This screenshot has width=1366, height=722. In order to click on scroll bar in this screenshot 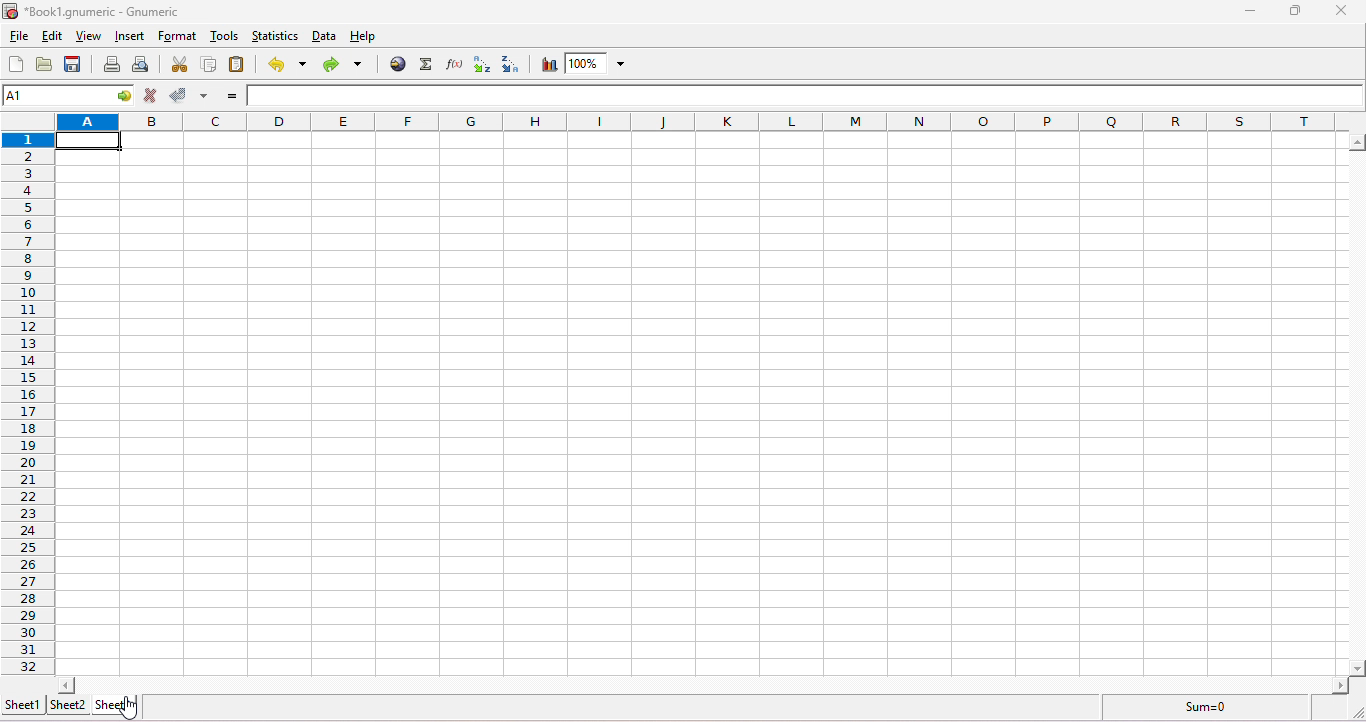, I will do `click(700, 684)`.